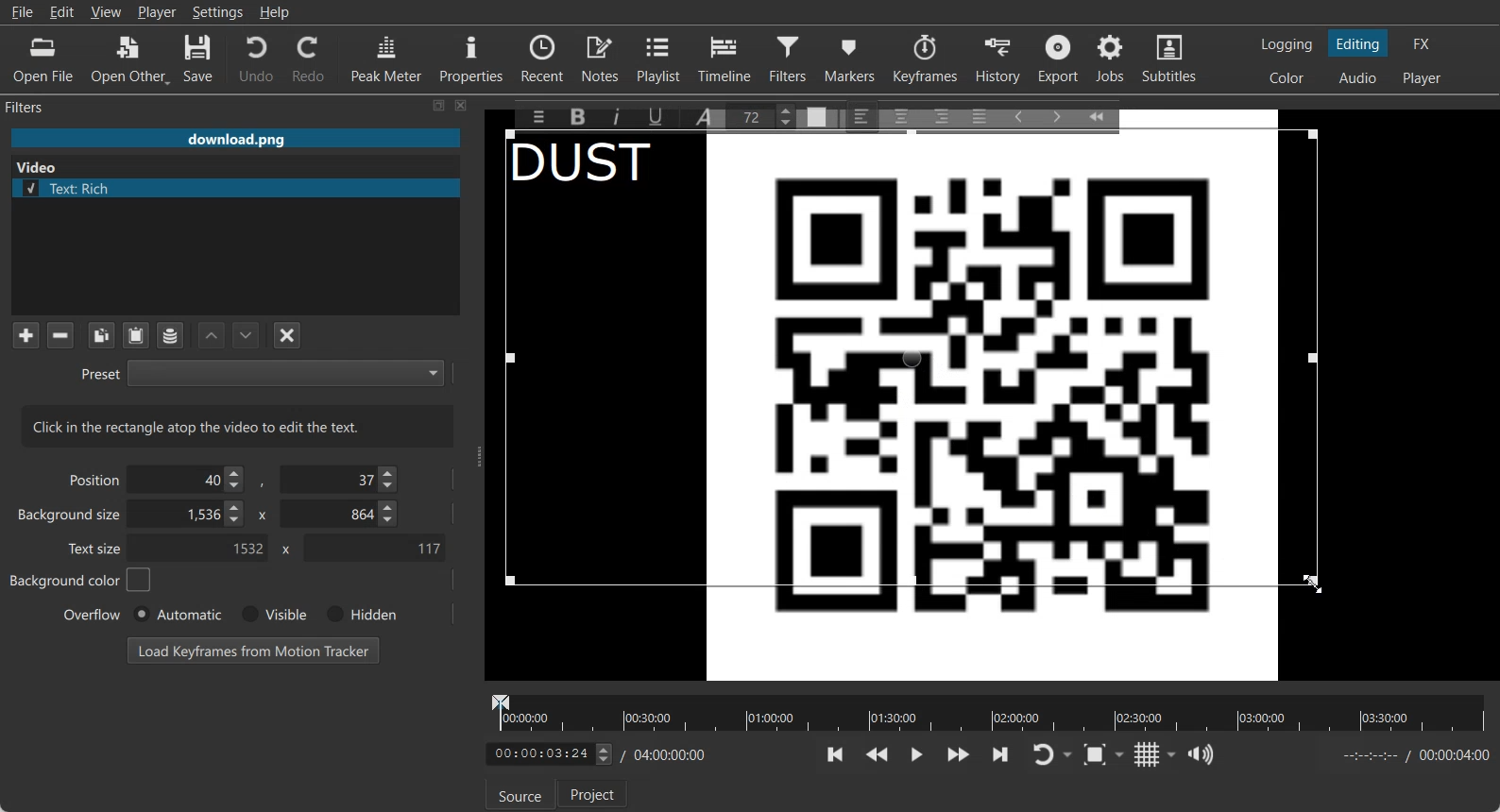 Image resolution: width=1500 pixels, height=812 pixels. What do you see at coordinates (520, 795) in the screenshot?
I see `Source` at bounding box center [520, 795].